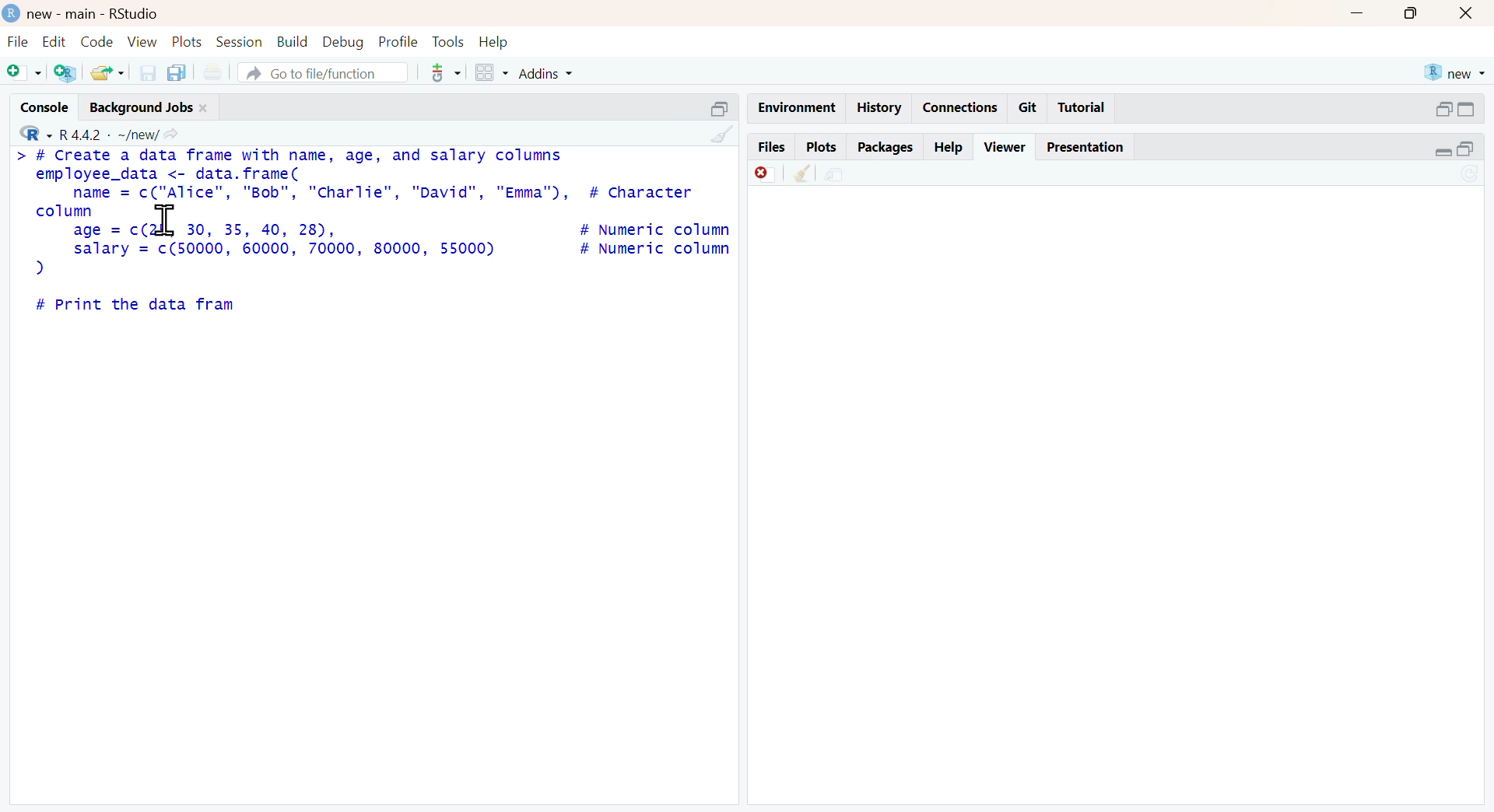  Describe the element at coordinates (93, 13) in the screenshot. I see `D new - main - RStudio` at that location.